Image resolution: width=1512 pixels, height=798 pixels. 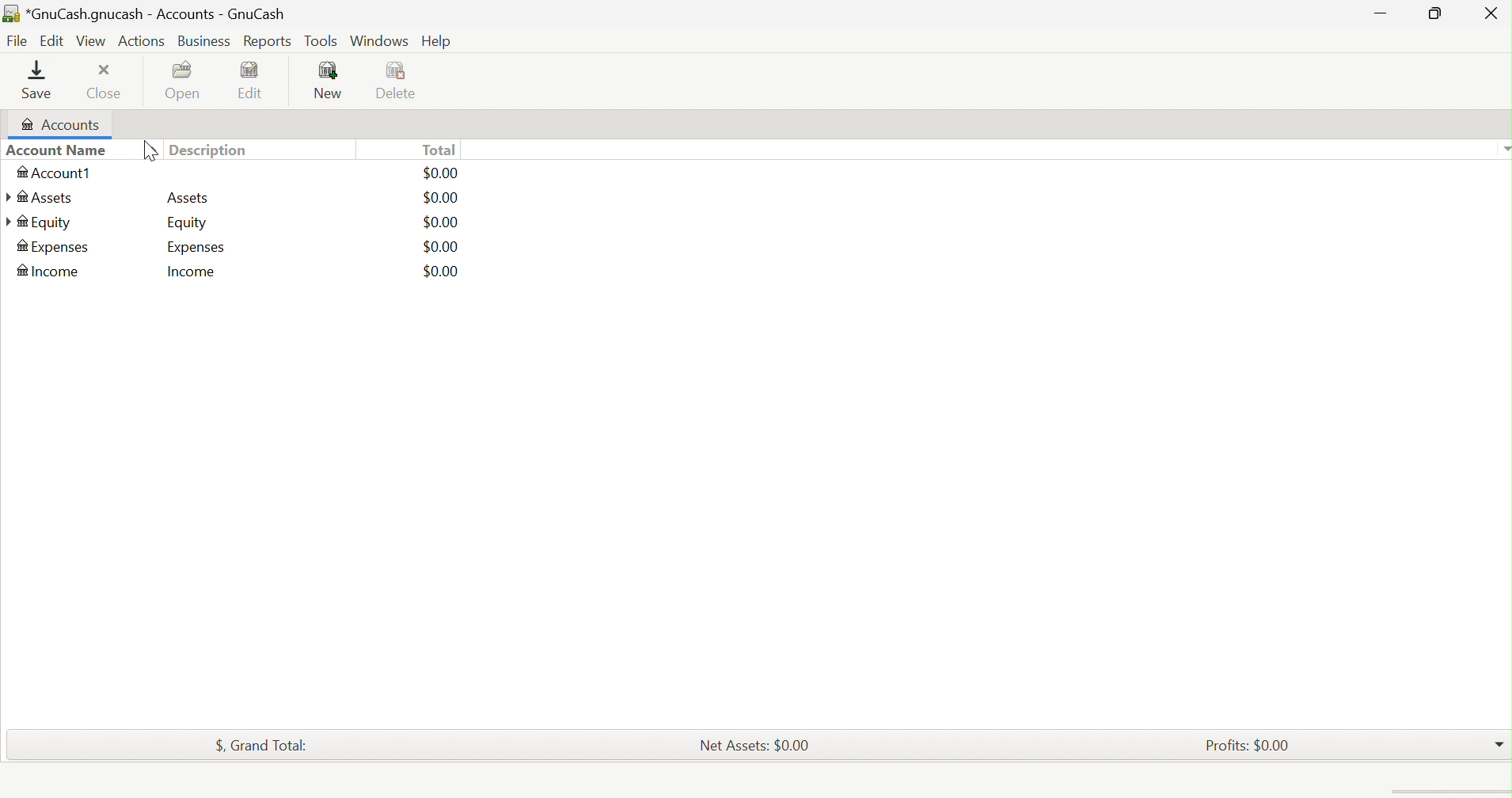 What do you see at coordinates (144, 40) in the screenshot?
I see `Actions` at bounding box center [144, 40].